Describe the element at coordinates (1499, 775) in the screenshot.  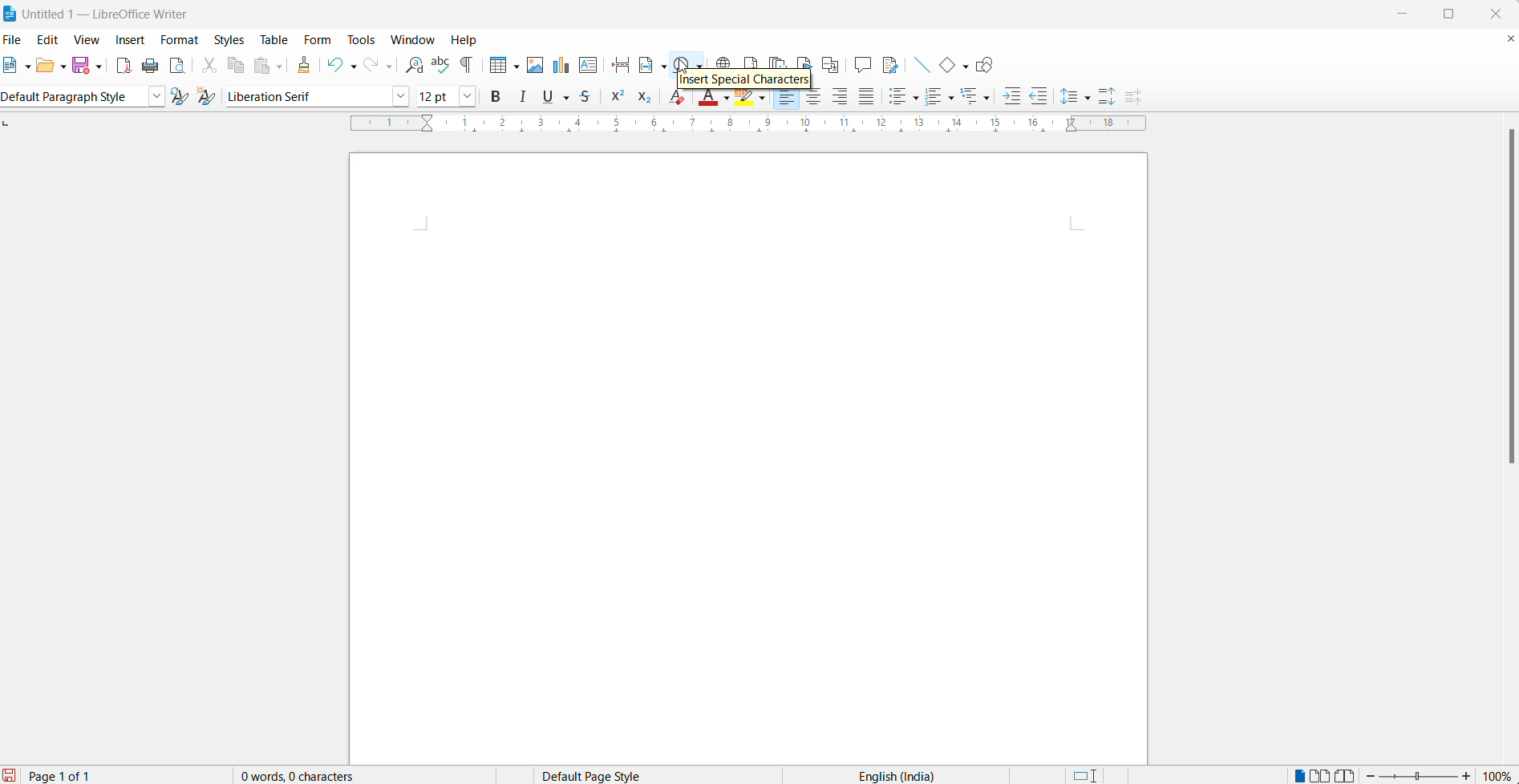
I see `zoom percentage` at that location.